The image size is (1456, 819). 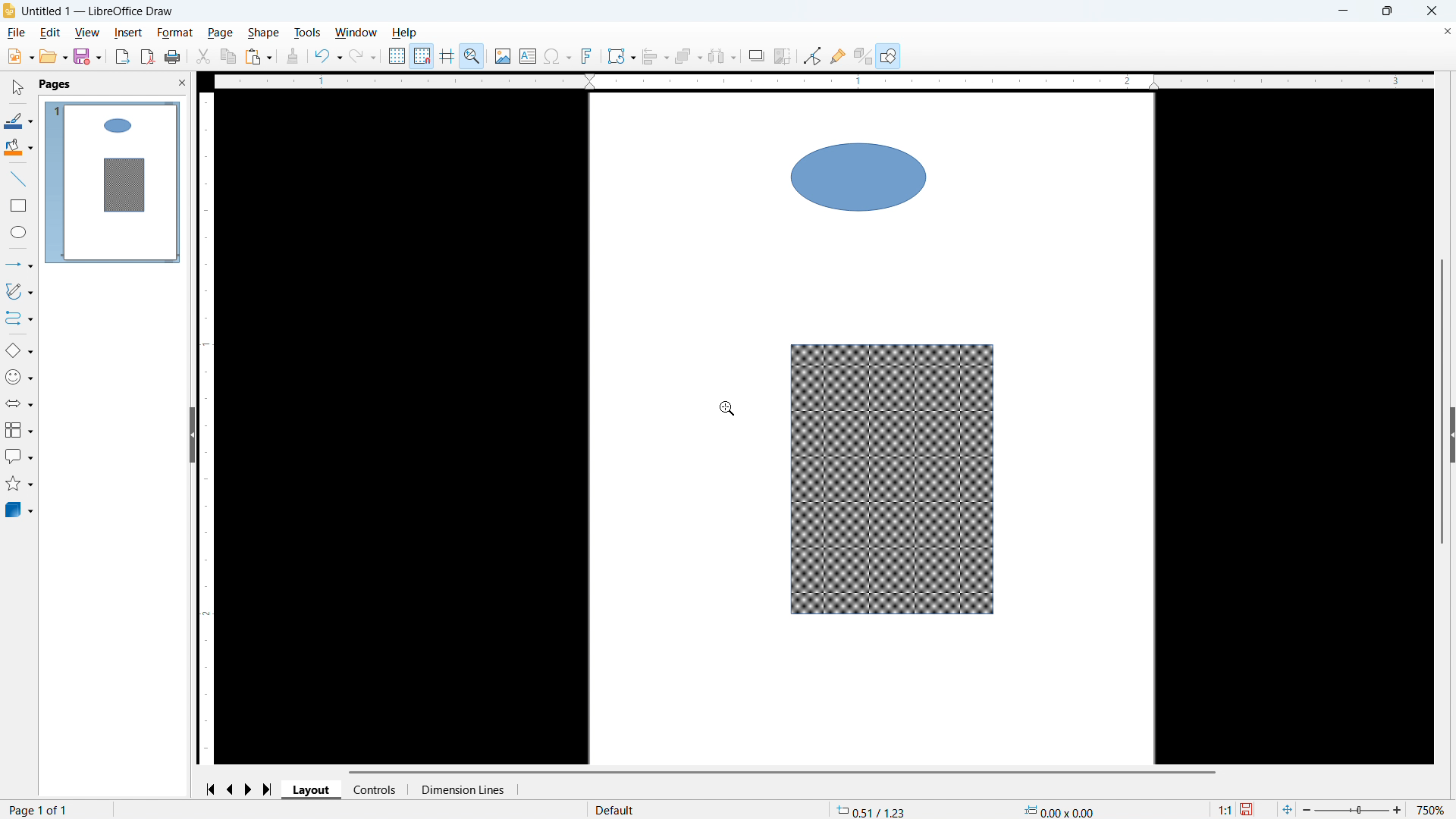 I want to click on Close document , so click(x=1445, y=32).